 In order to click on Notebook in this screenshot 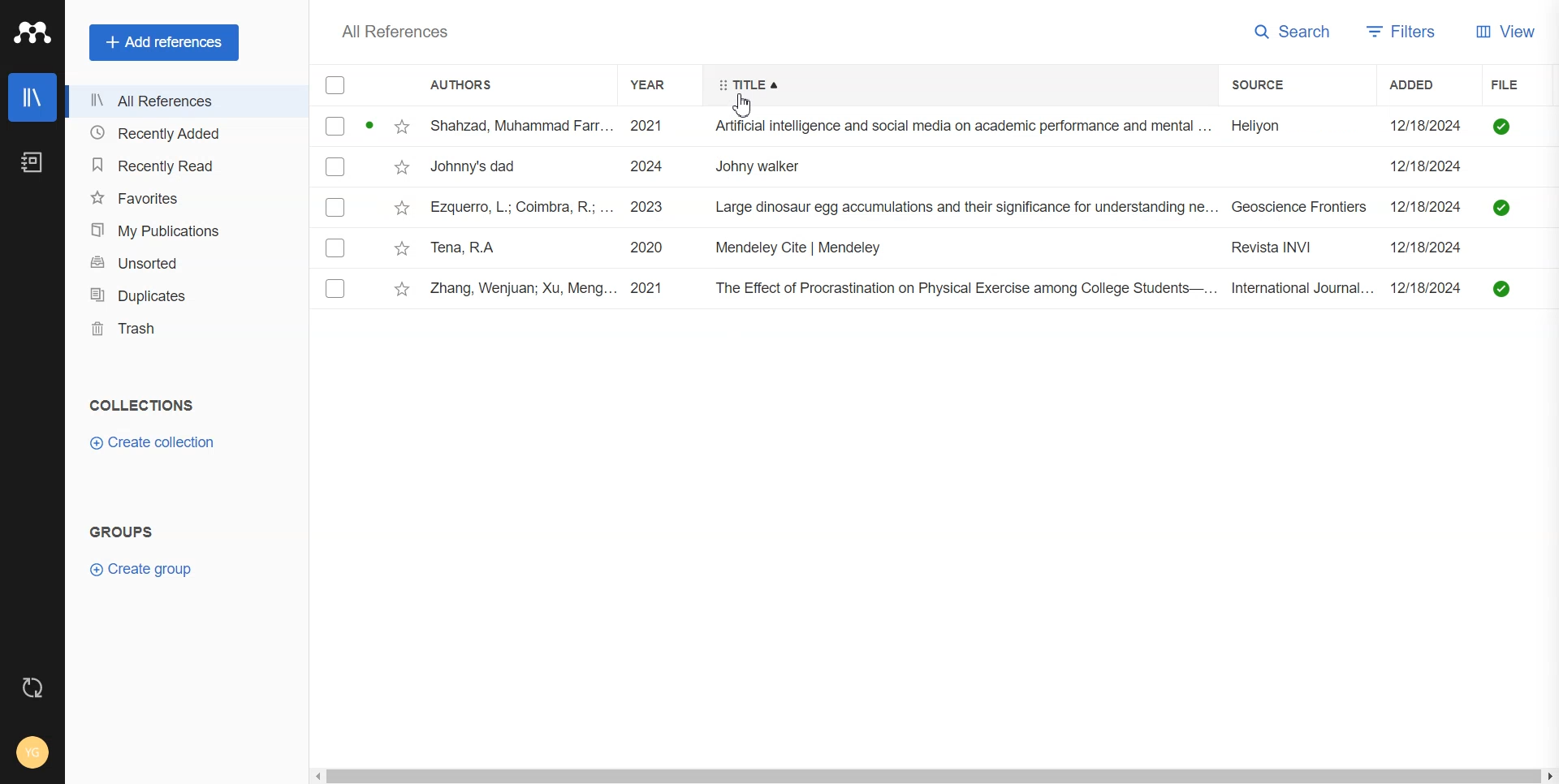, I will do `click(31, 162)`.